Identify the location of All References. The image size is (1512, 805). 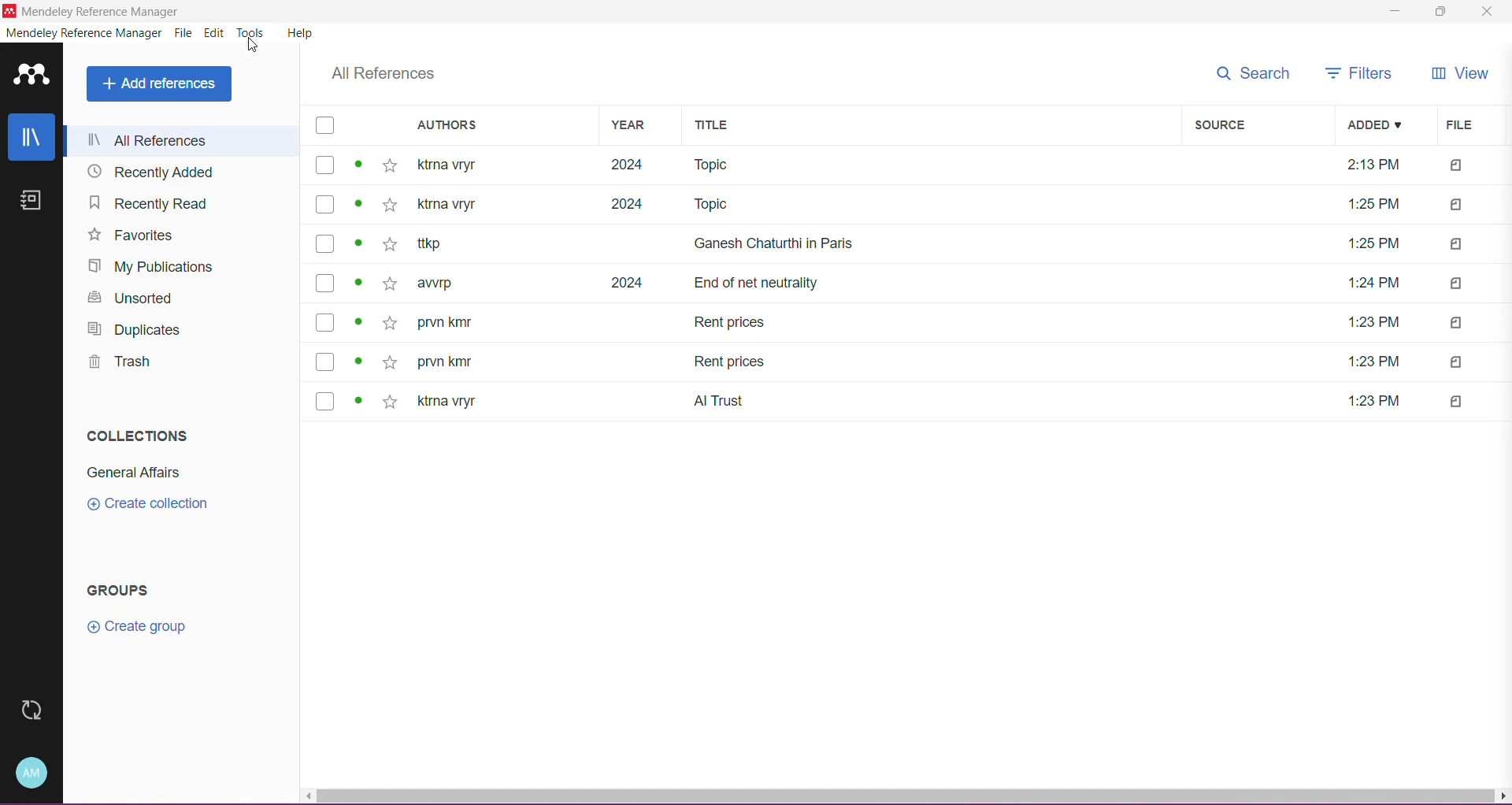
(385, 75).